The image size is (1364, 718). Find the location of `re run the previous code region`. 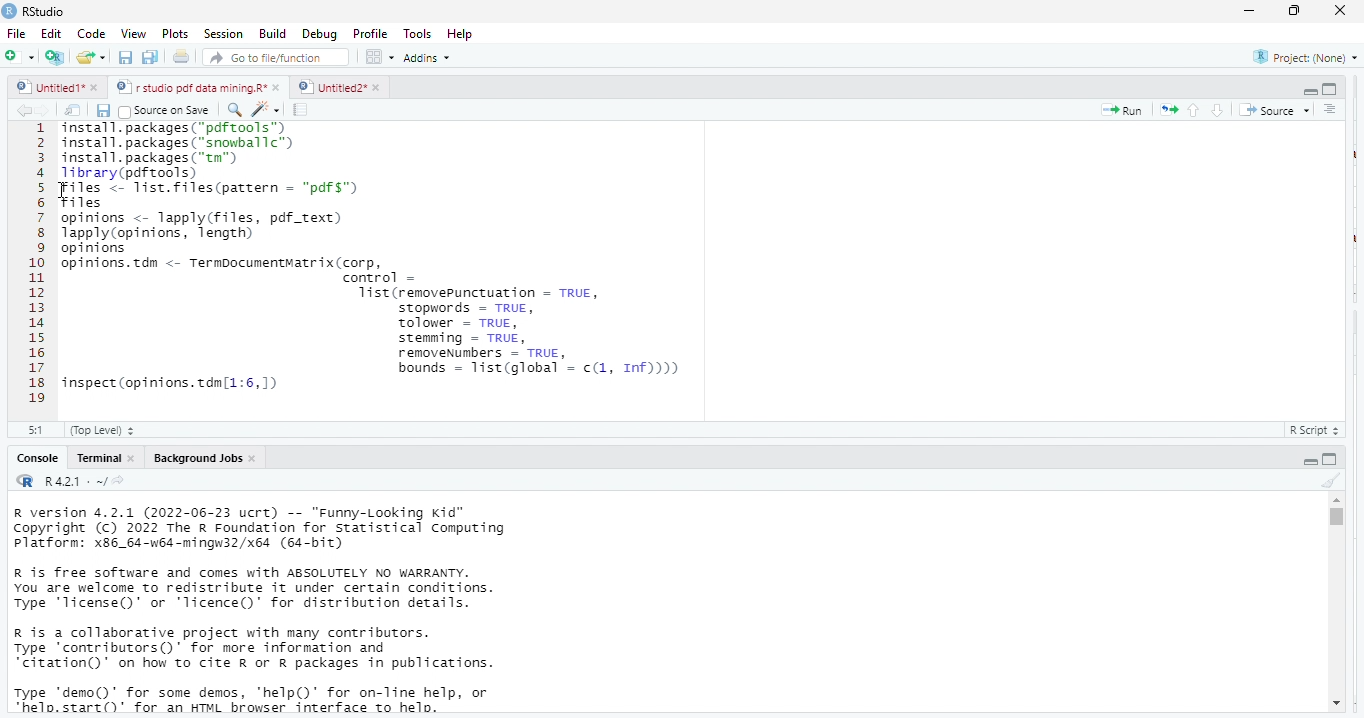

re run the previous code region is located at coordinates (1165, 109).